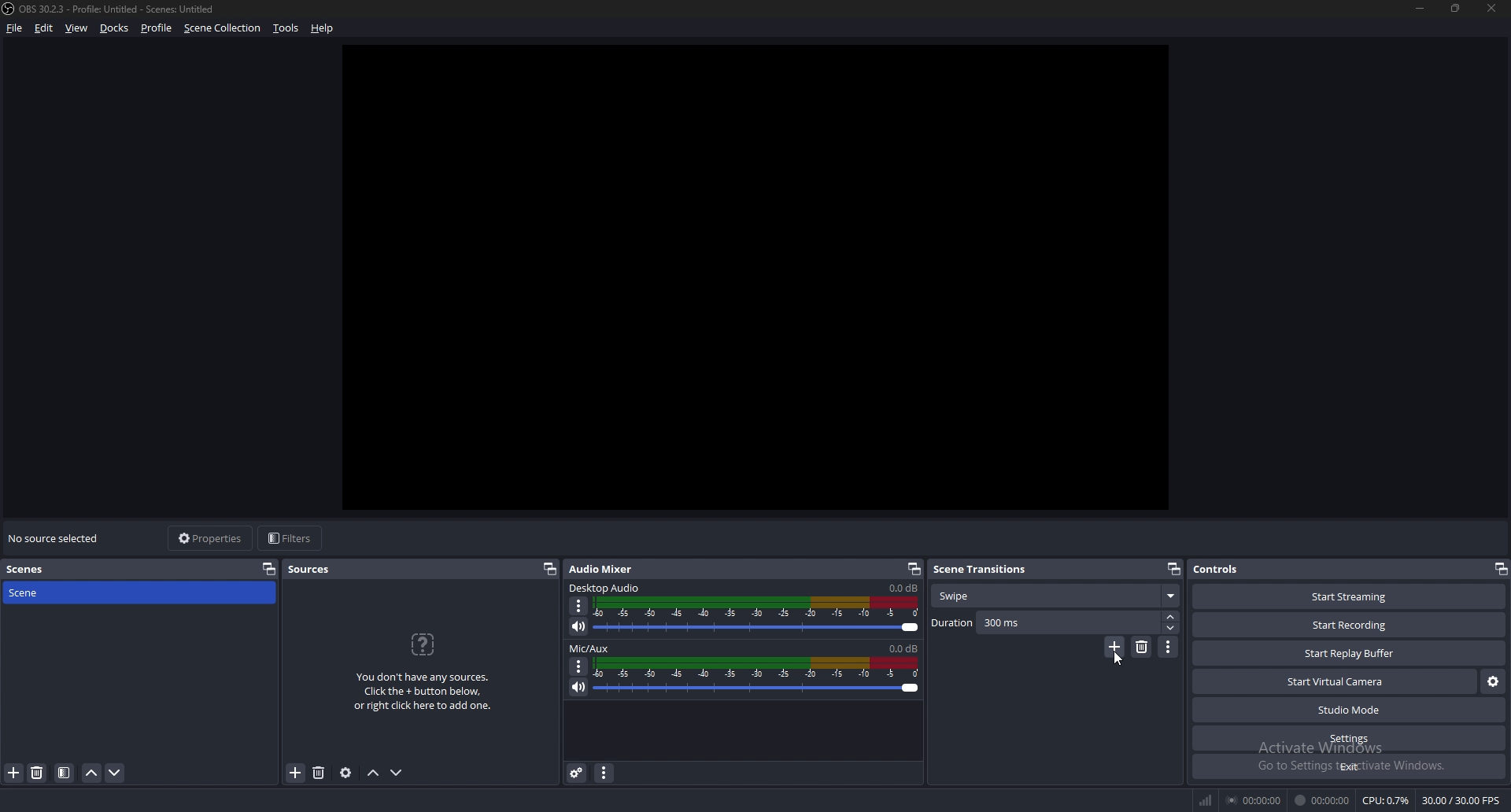 This screenshot has height=812, width=1511. I want to click on obs logo, so click(9, 10).